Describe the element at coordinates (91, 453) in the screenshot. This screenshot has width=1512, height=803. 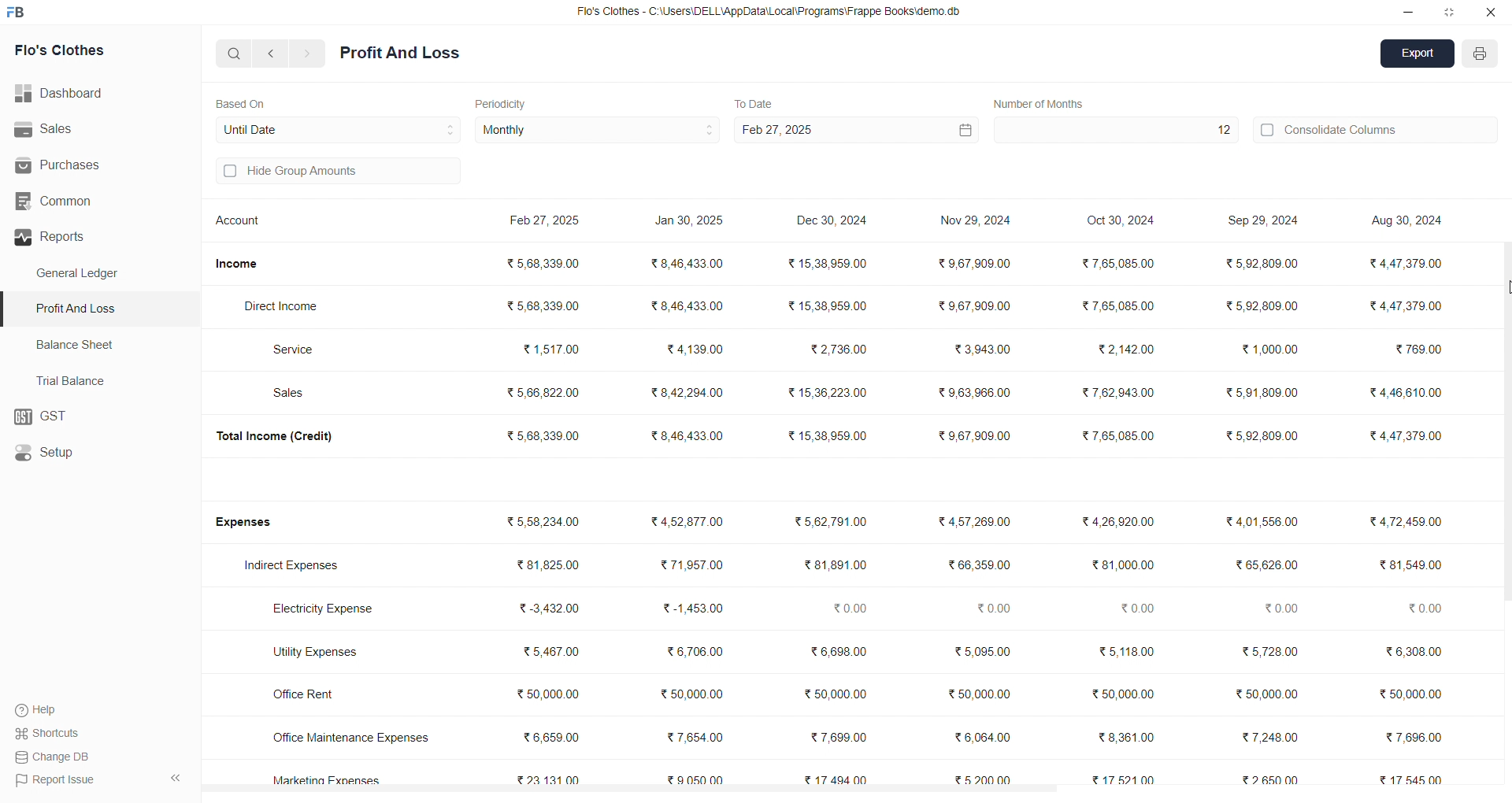
I see `Setup` at that location.